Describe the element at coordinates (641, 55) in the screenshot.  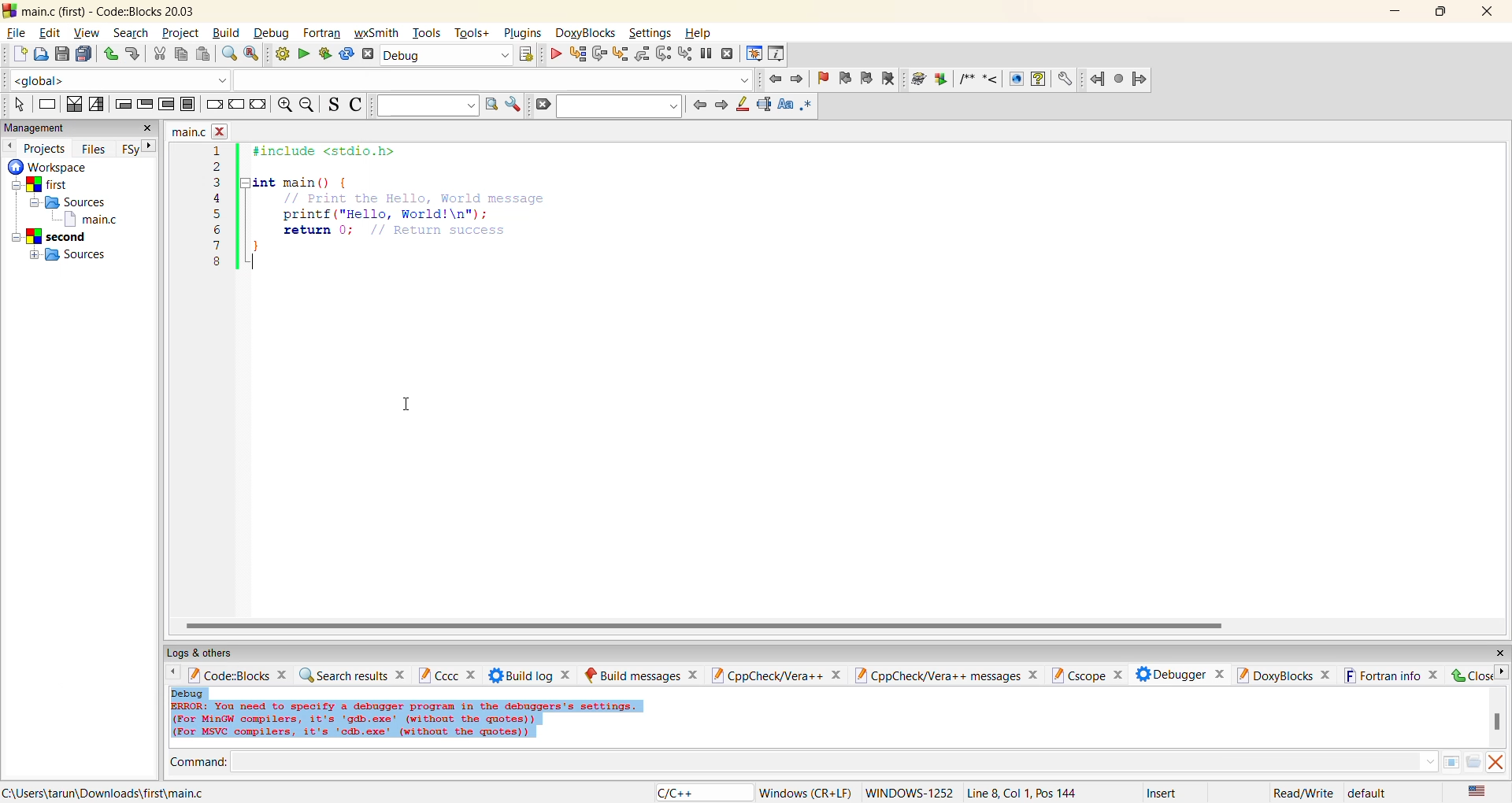
I see `step out` at that location.